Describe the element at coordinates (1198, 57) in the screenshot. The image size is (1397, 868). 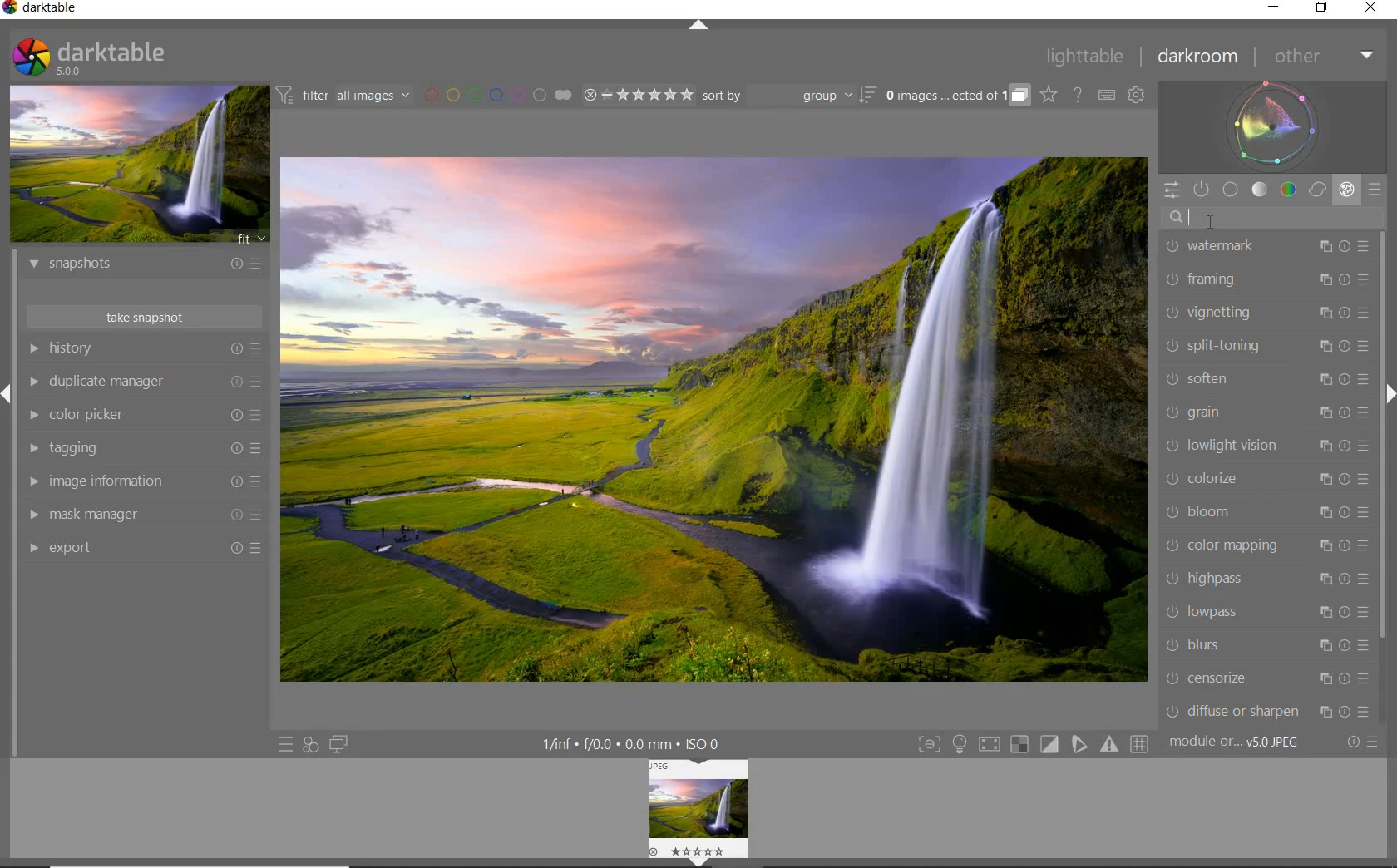
I see `darkroom` at that location.